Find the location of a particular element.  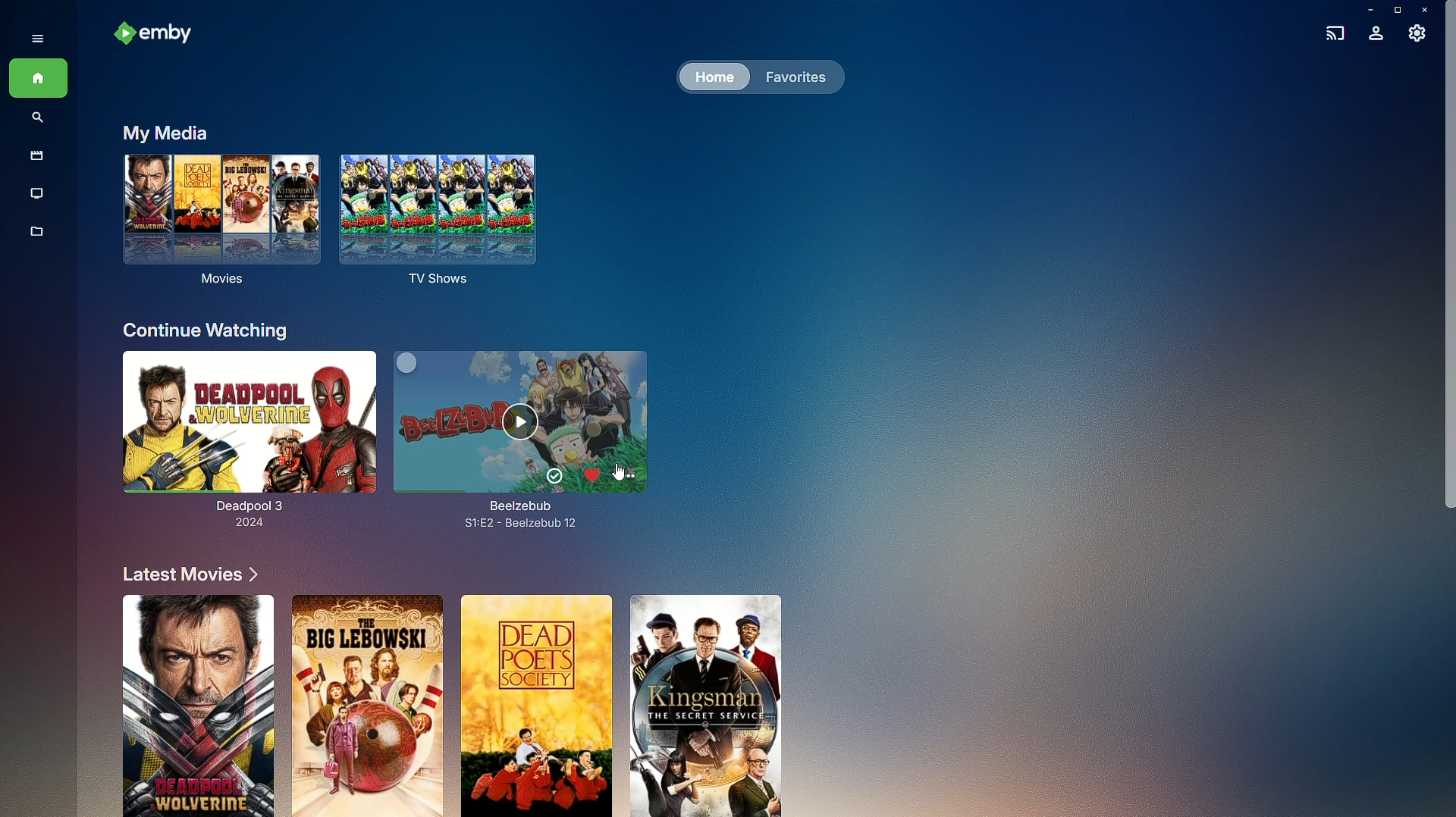

Favorites is located at coordinates (792, 76).